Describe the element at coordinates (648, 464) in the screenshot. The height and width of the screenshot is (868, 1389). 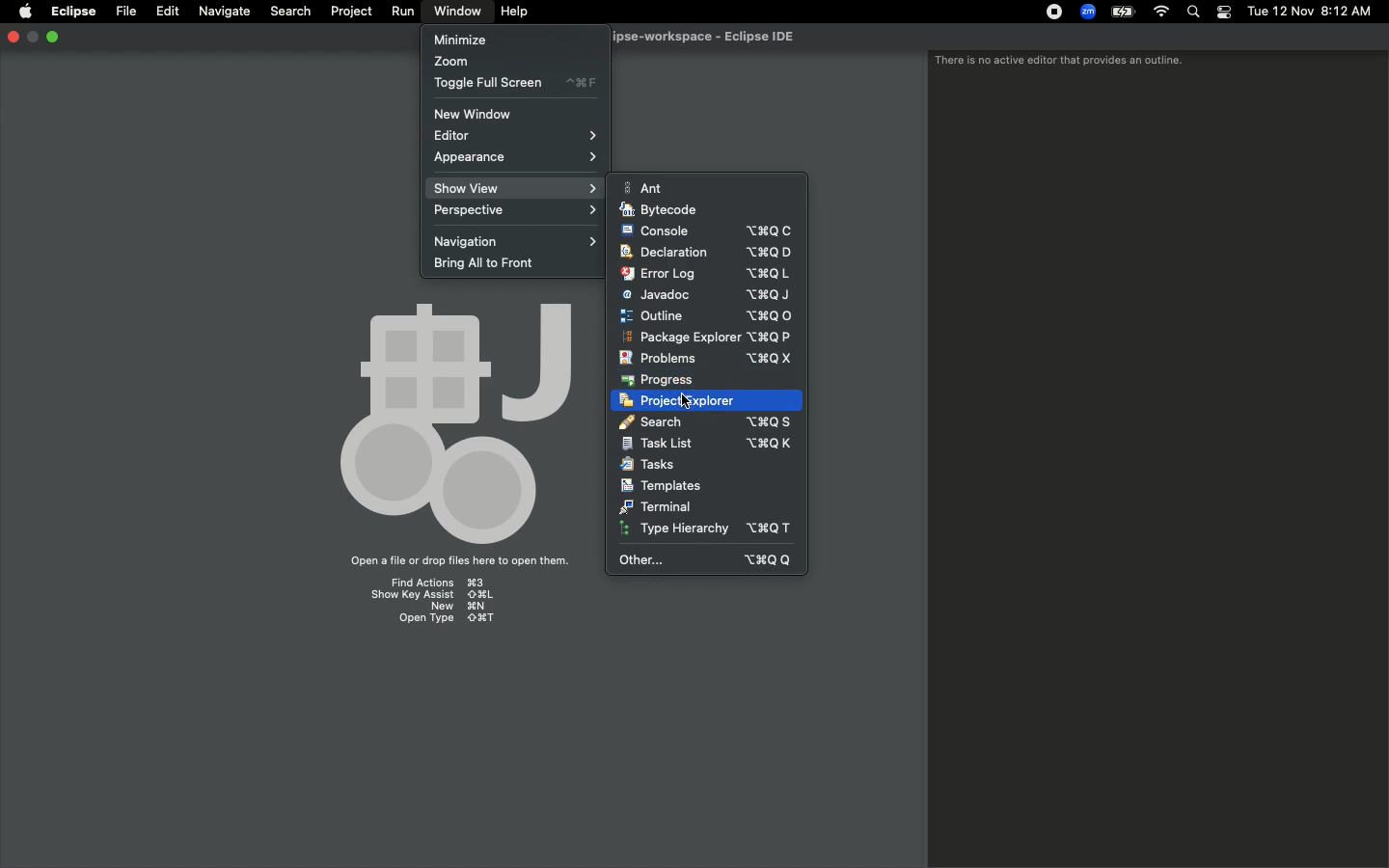
I see `Tasks` at that location.